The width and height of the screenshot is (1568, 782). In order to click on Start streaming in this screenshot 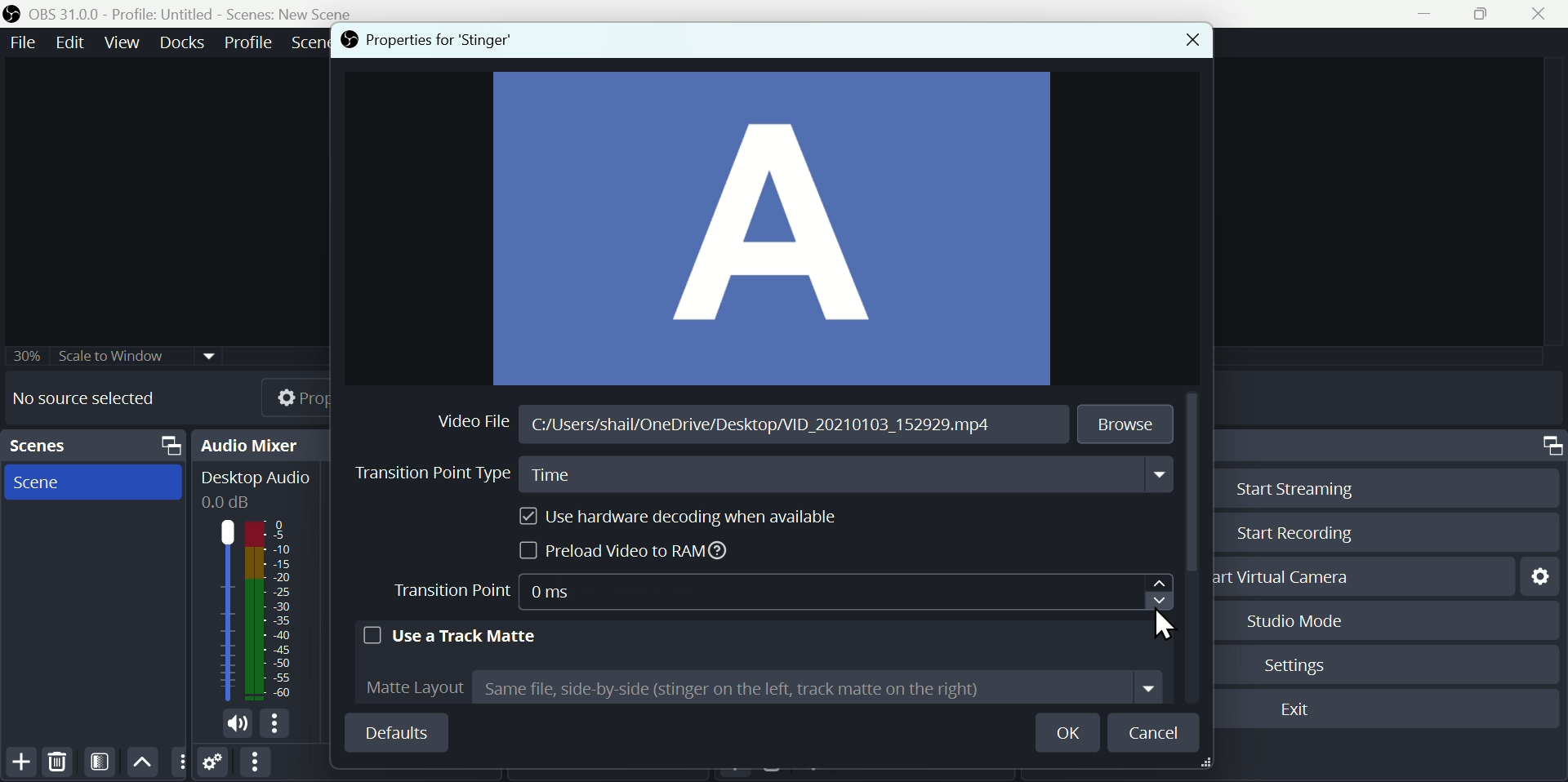, I will do `click(1288, 487)`.